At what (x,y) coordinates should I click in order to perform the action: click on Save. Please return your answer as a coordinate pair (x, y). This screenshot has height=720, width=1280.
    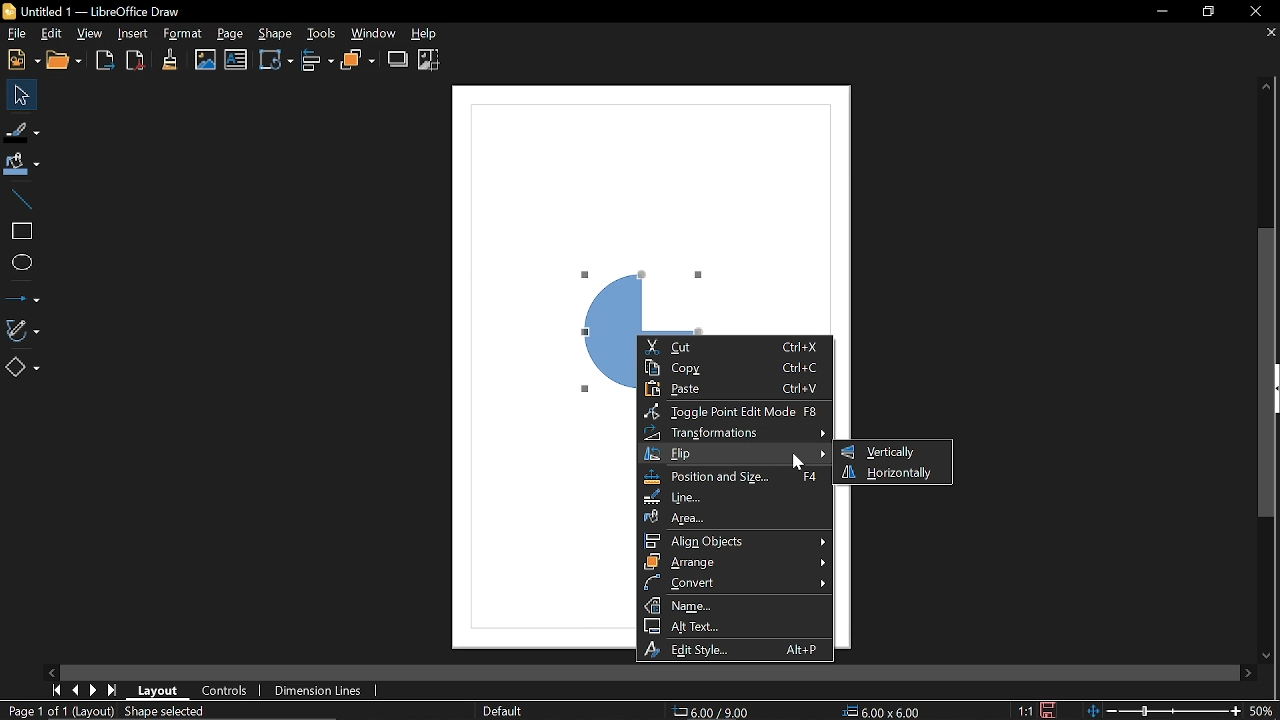
    Looking at the image, I should click on (1052, 711).